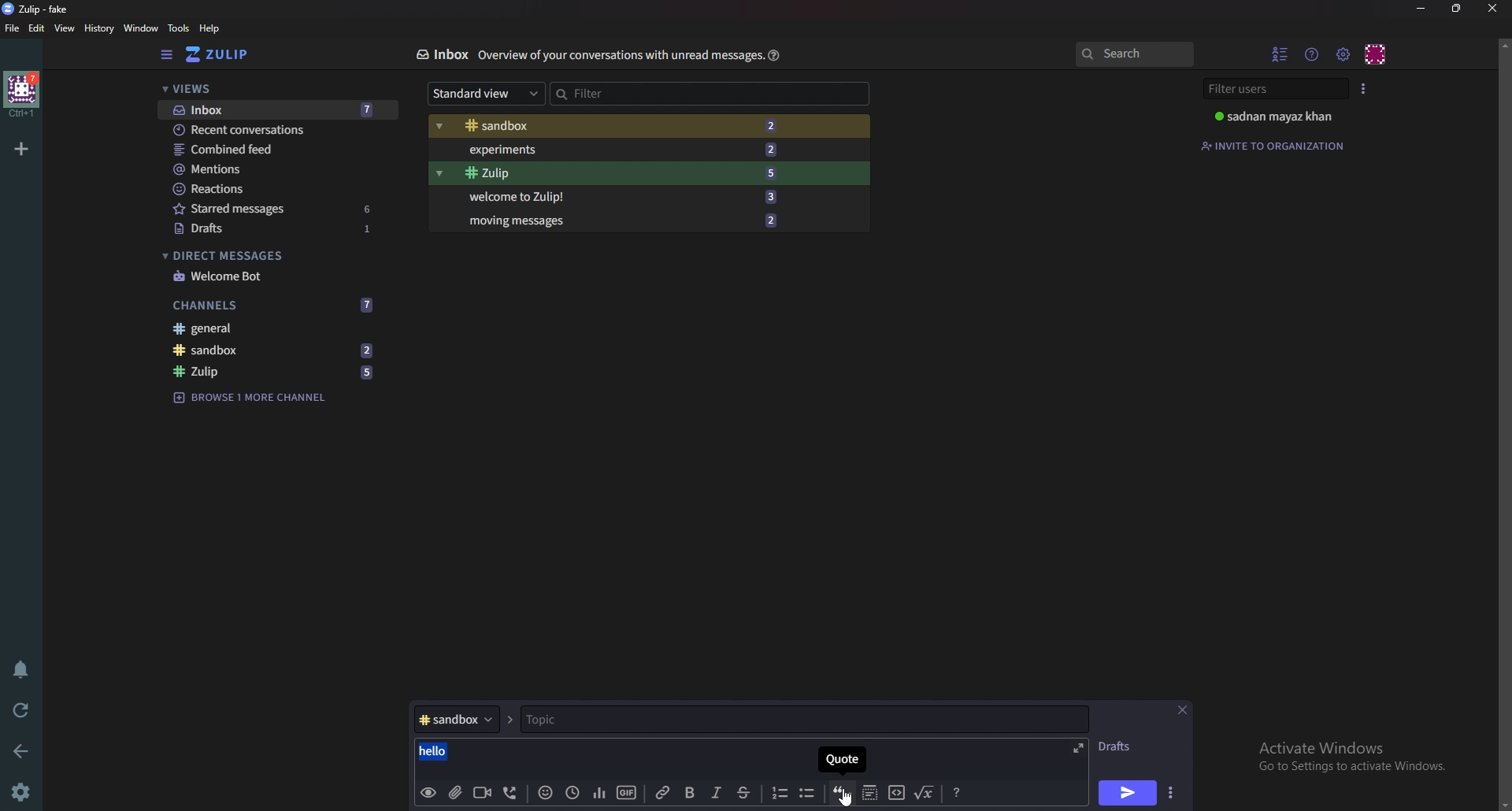 The height and width of the screenshot is (811, 1512). Describe the element at coordinates (1275, 118) in the screenshot. I see `sadnan mayaz khan` at that location.